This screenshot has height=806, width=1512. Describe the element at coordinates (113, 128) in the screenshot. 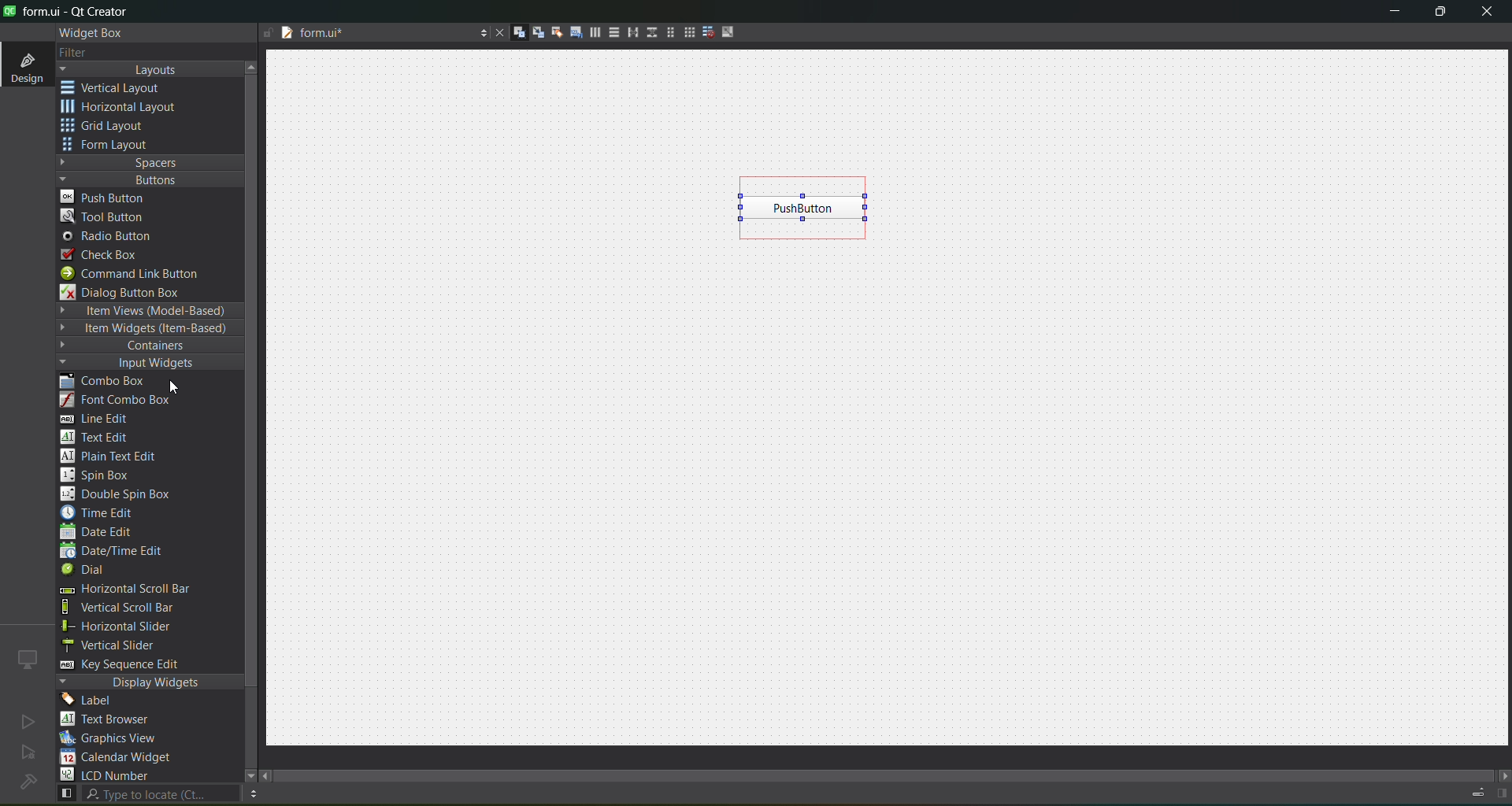

I see `grid` at that location.